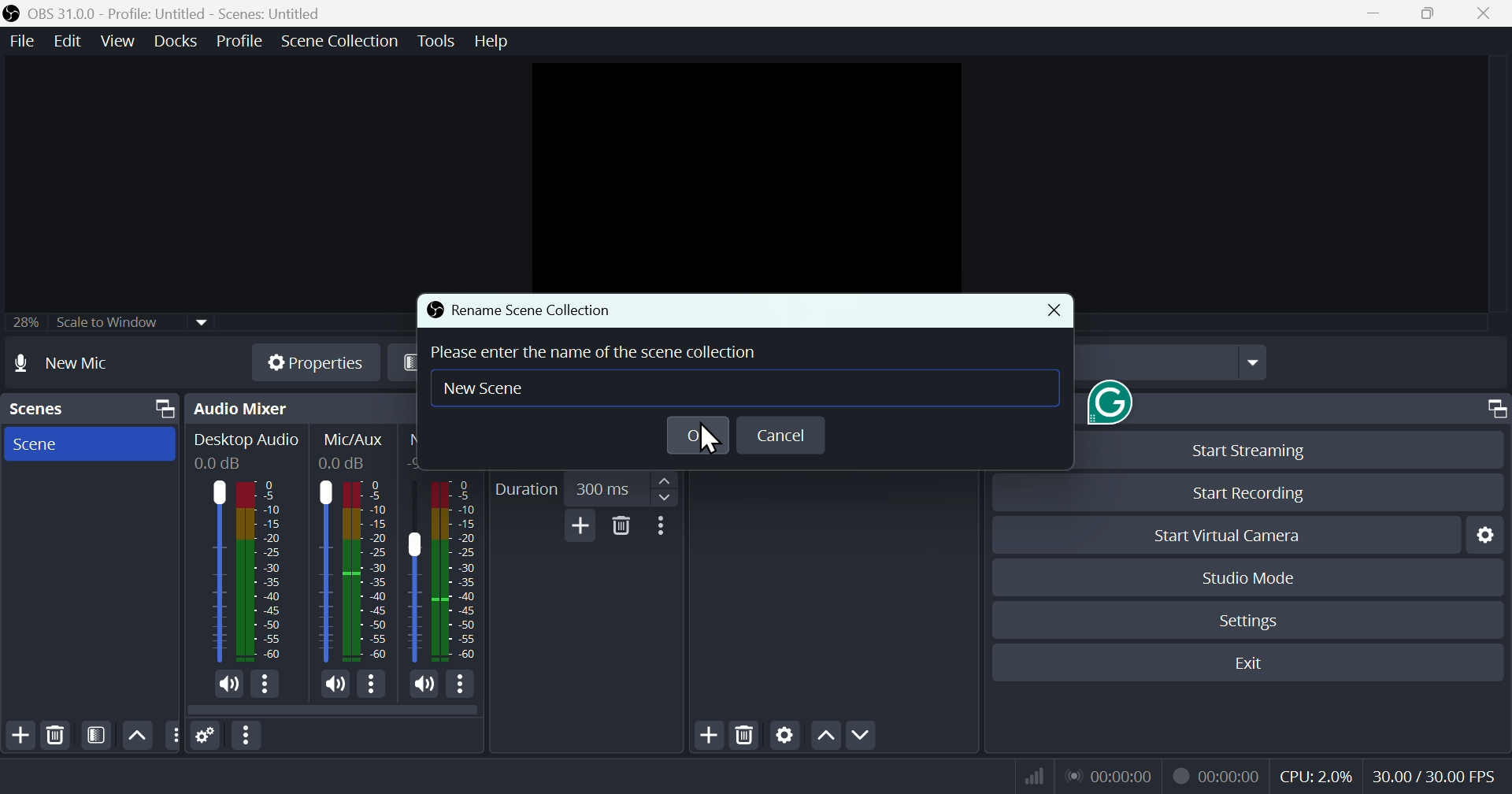 The width and height of the screenshot is (1512, 794). I want to click on Frame Per Second, so click(1435, 777).